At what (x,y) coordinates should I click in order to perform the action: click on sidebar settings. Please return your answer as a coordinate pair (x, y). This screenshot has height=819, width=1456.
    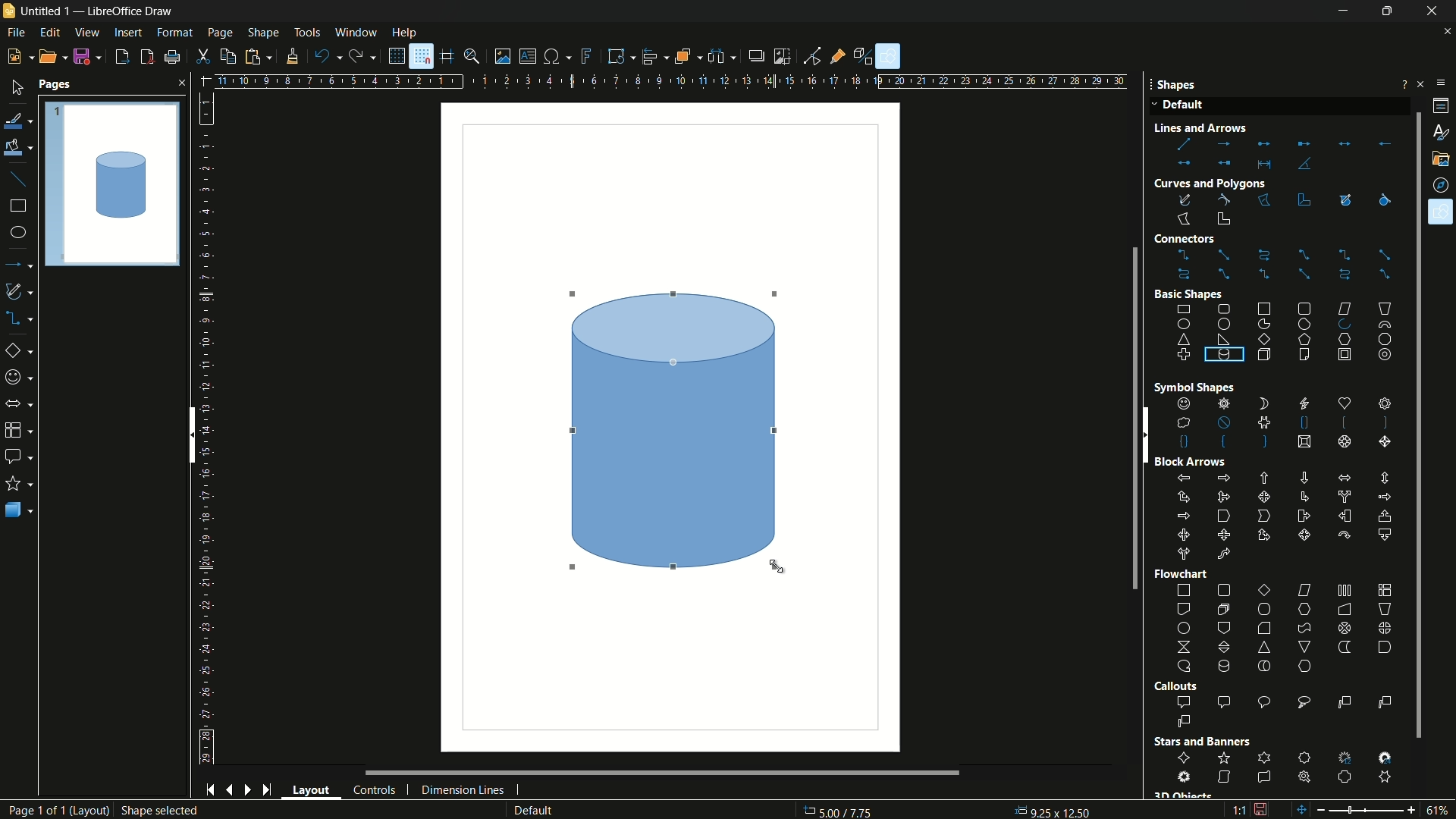
    Looking at the image, I should click on (1439, 83).